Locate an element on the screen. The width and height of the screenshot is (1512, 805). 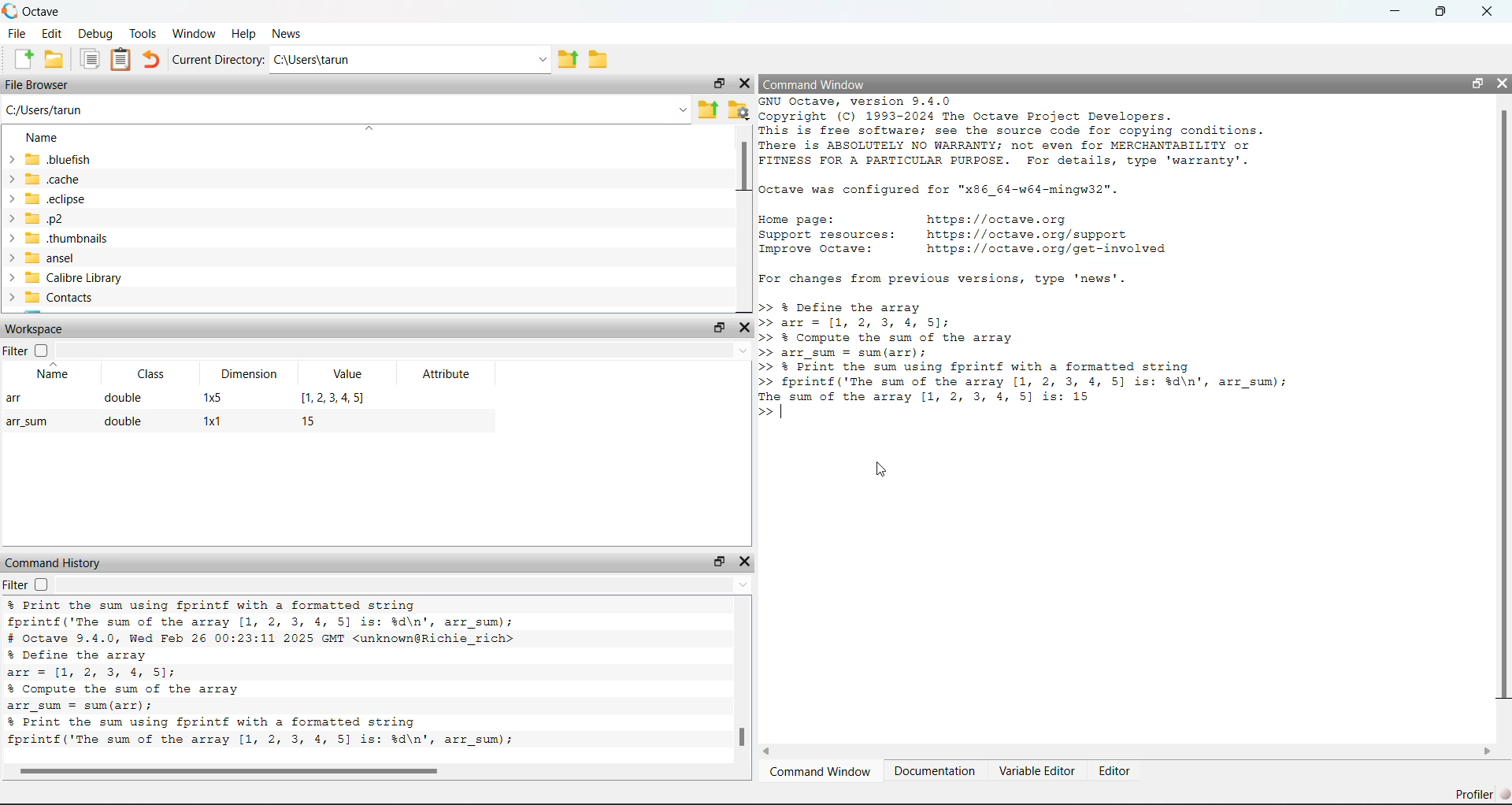
cache is located at coordinates (50, 179).